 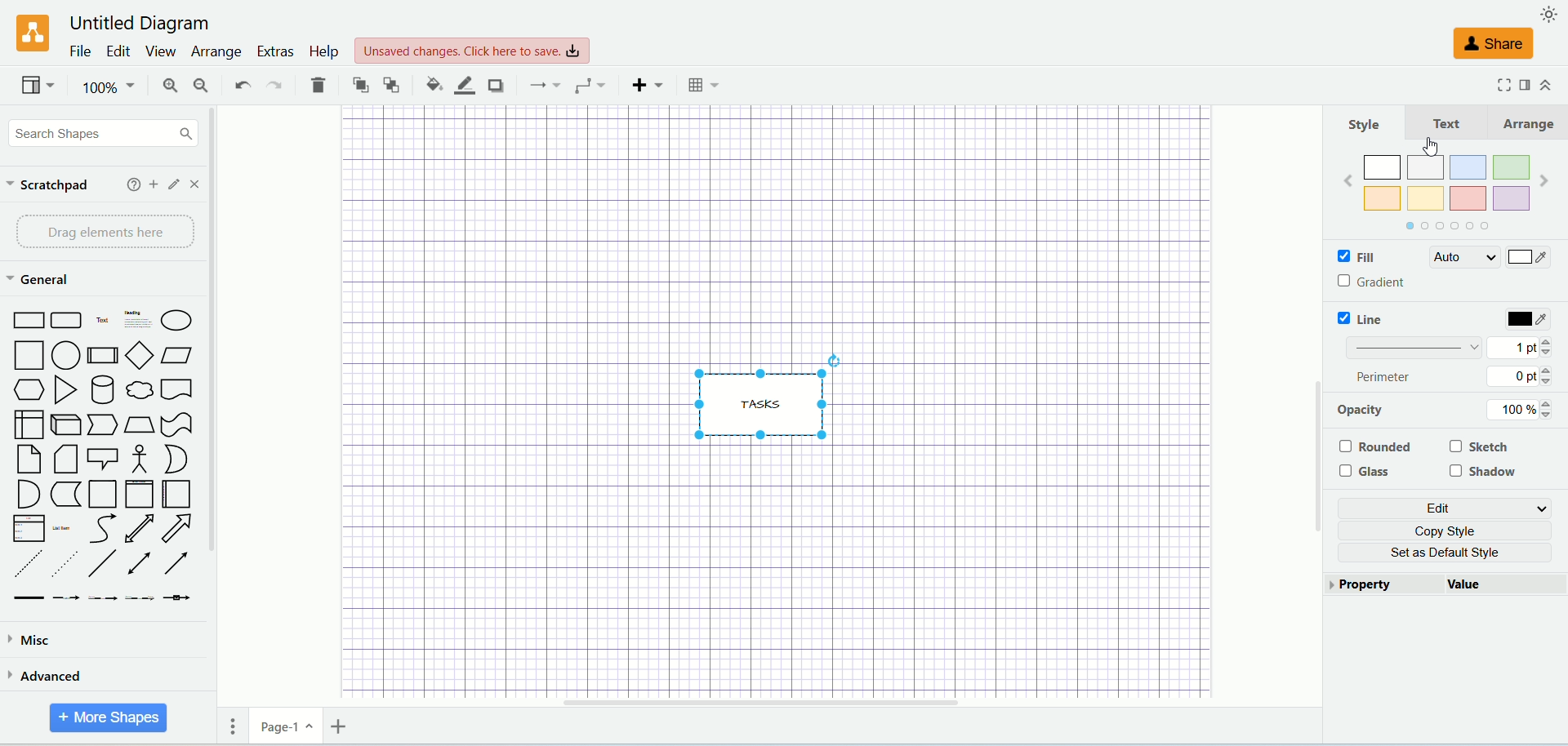 What do you see at coordinates (1365, 472) in the screenshot?
I see `glass` at bounding box center [1365, 472].